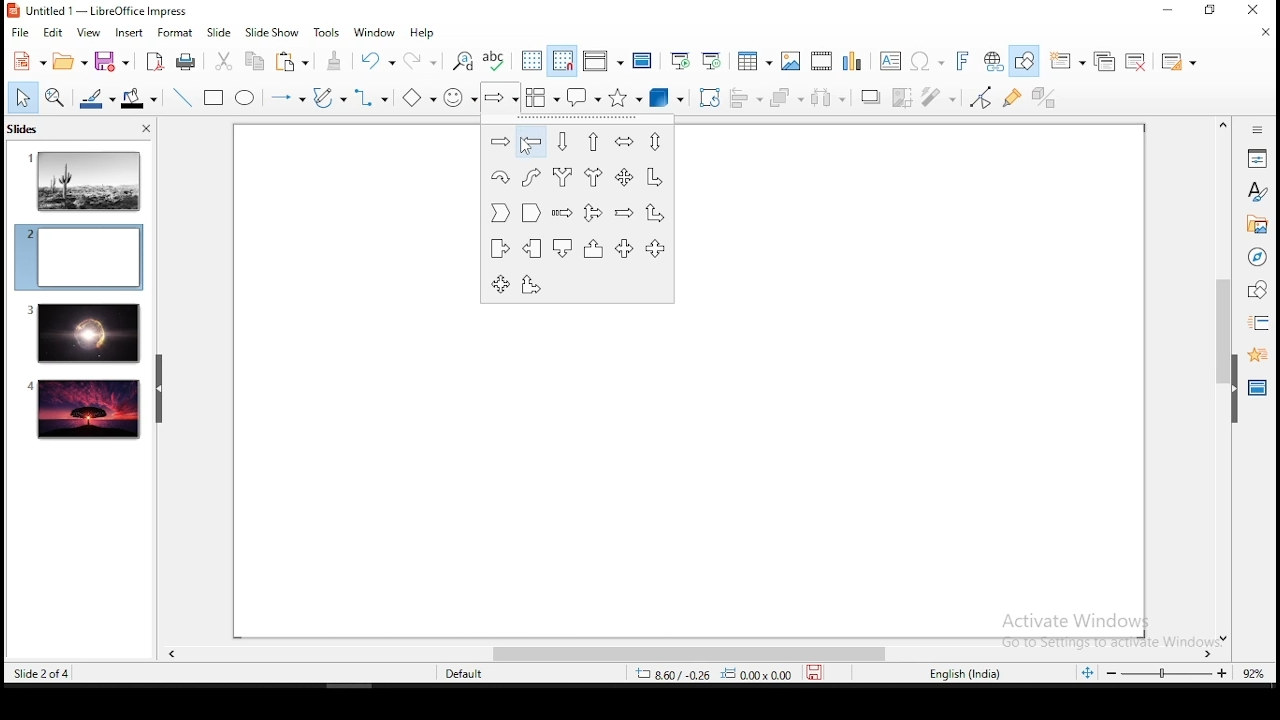  I want to click on navigator, so click(1256, 259).